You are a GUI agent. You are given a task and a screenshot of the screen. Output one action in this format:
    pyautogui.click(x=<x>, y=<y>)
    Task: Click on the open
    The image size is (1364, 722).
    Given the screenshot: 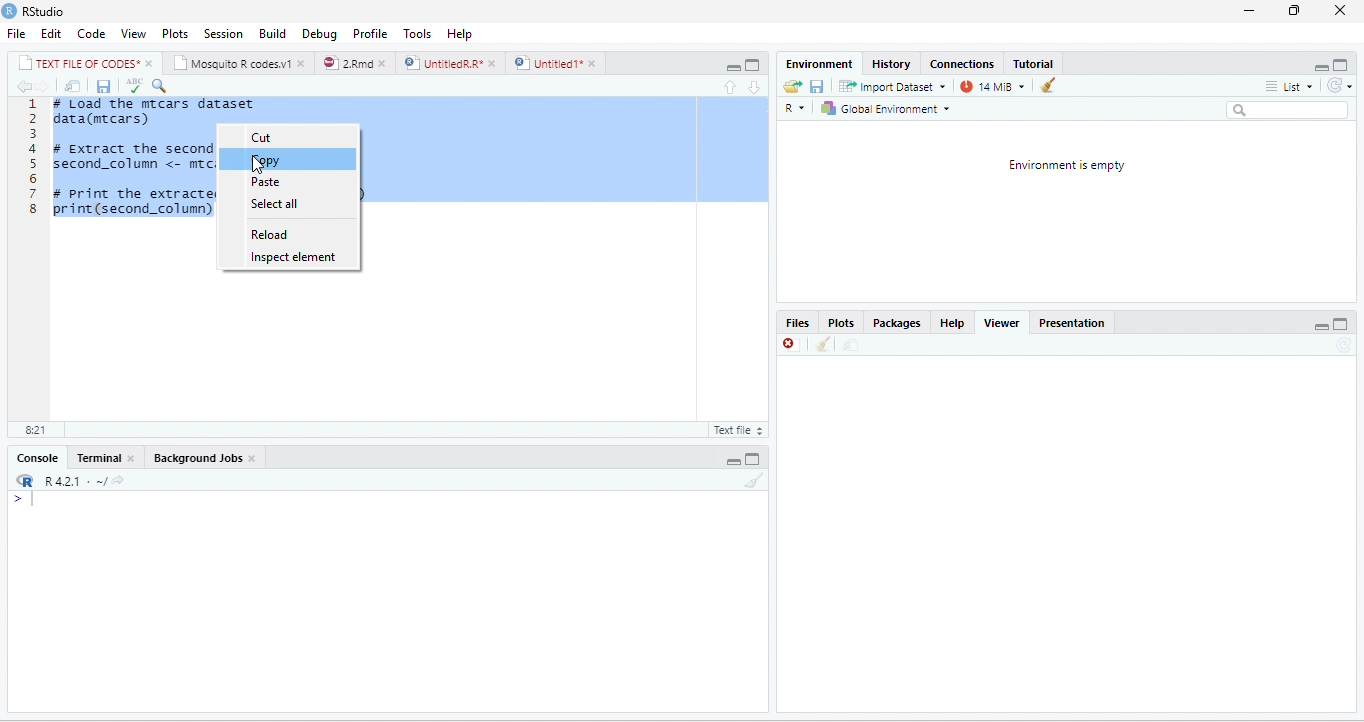 What is the action you would take?
    pyautogui.click(x=789, y=87)
    